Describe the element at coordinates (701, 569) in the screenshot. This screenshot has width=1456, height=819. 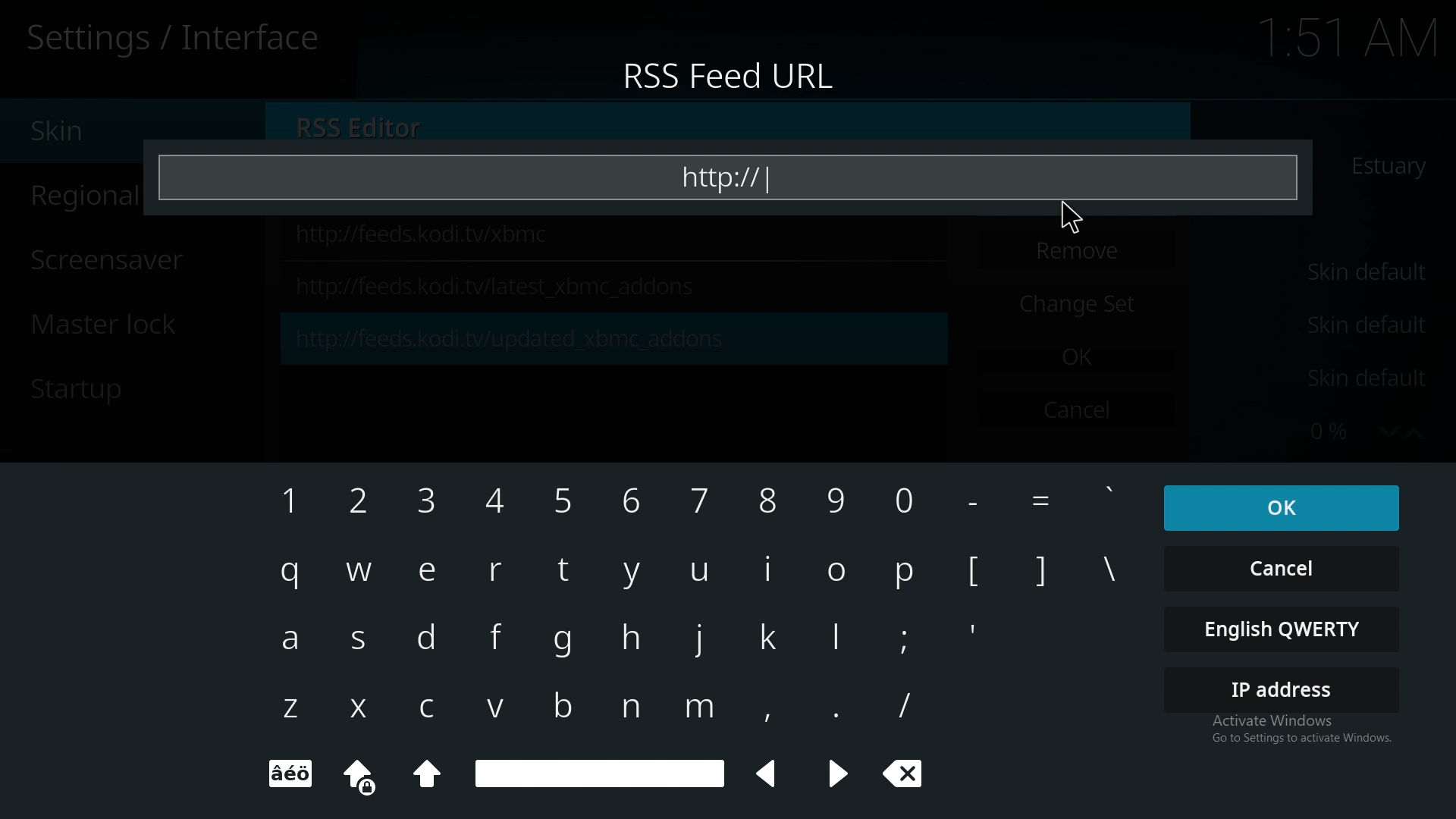
I see `keyboard Input` at that location.